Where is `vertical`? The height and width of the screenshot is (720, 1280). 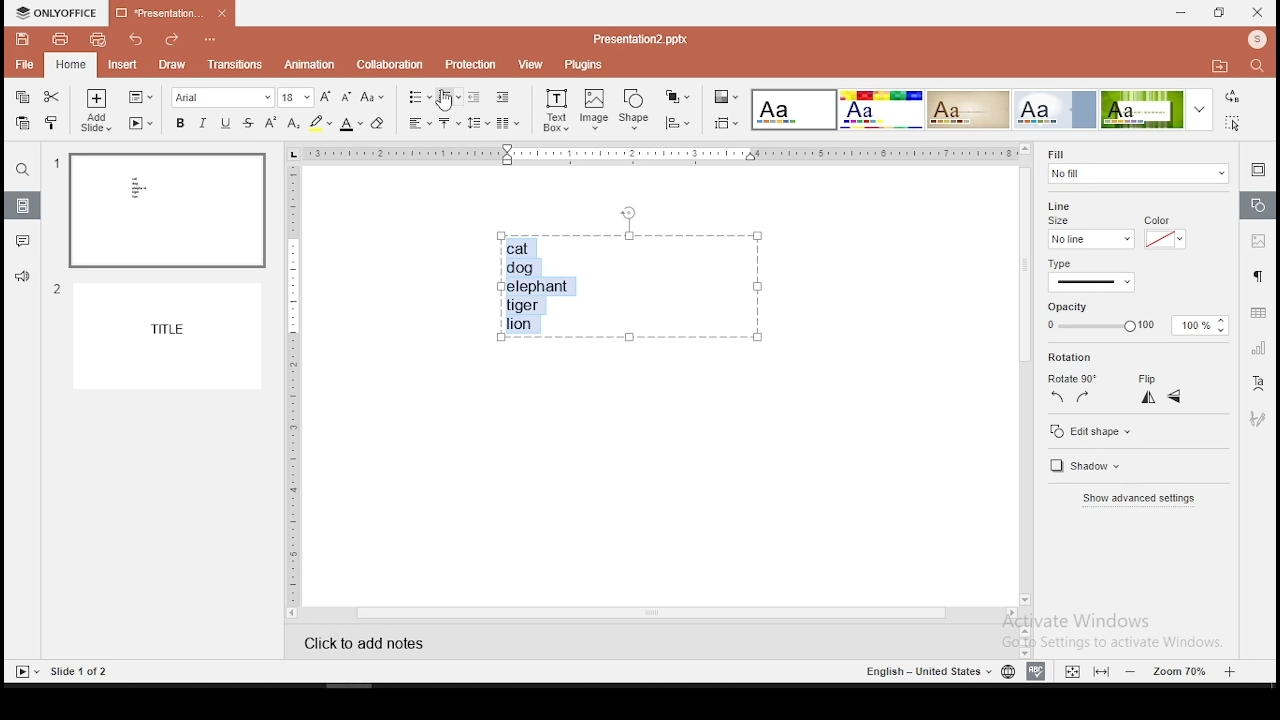
vertical is located at coordinates (1149, 399).